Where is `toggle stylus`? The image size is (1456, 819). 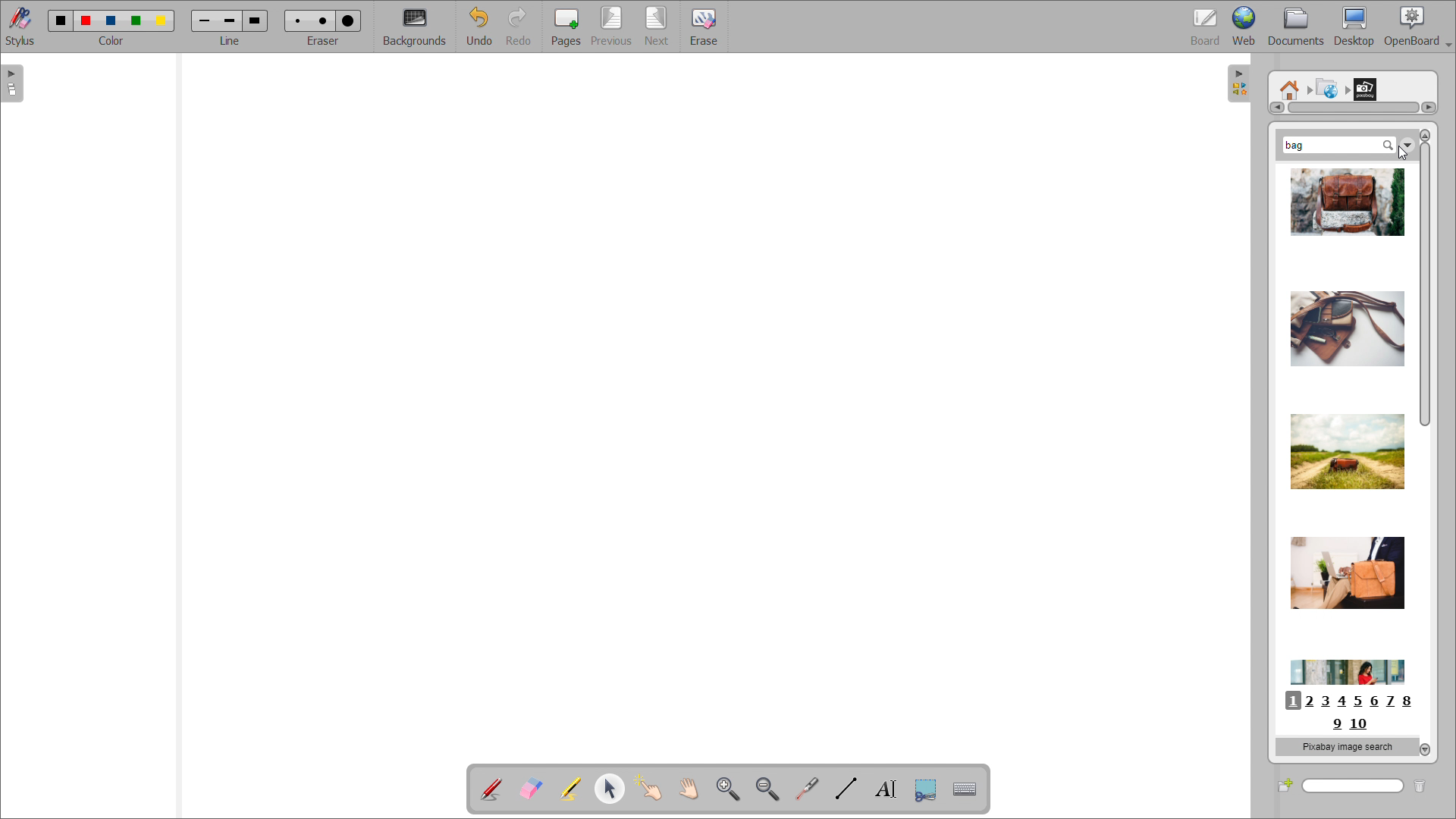 toggle stylus is located at coordinates (20, 26).